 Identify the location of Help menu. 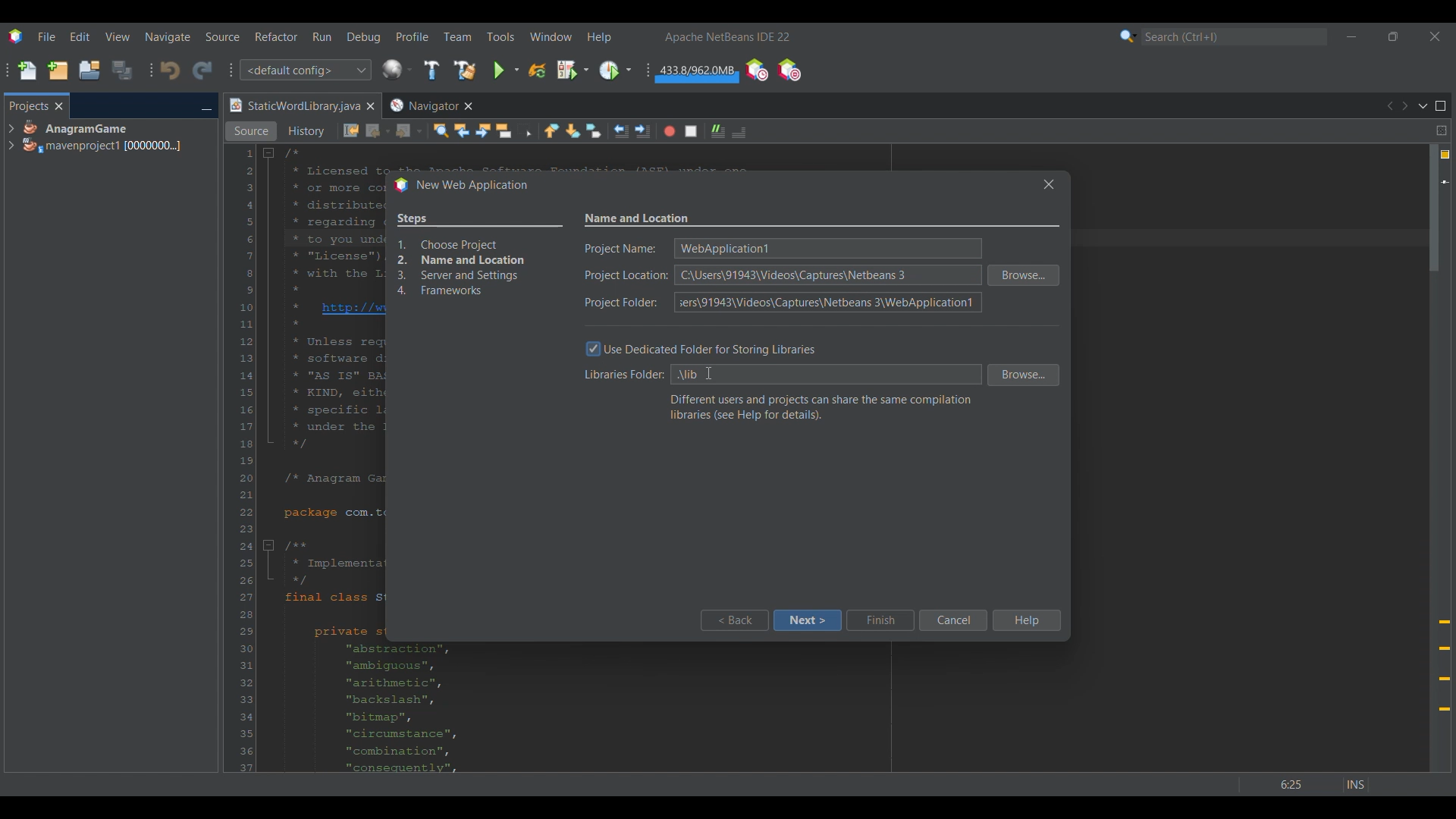
(599, 37).